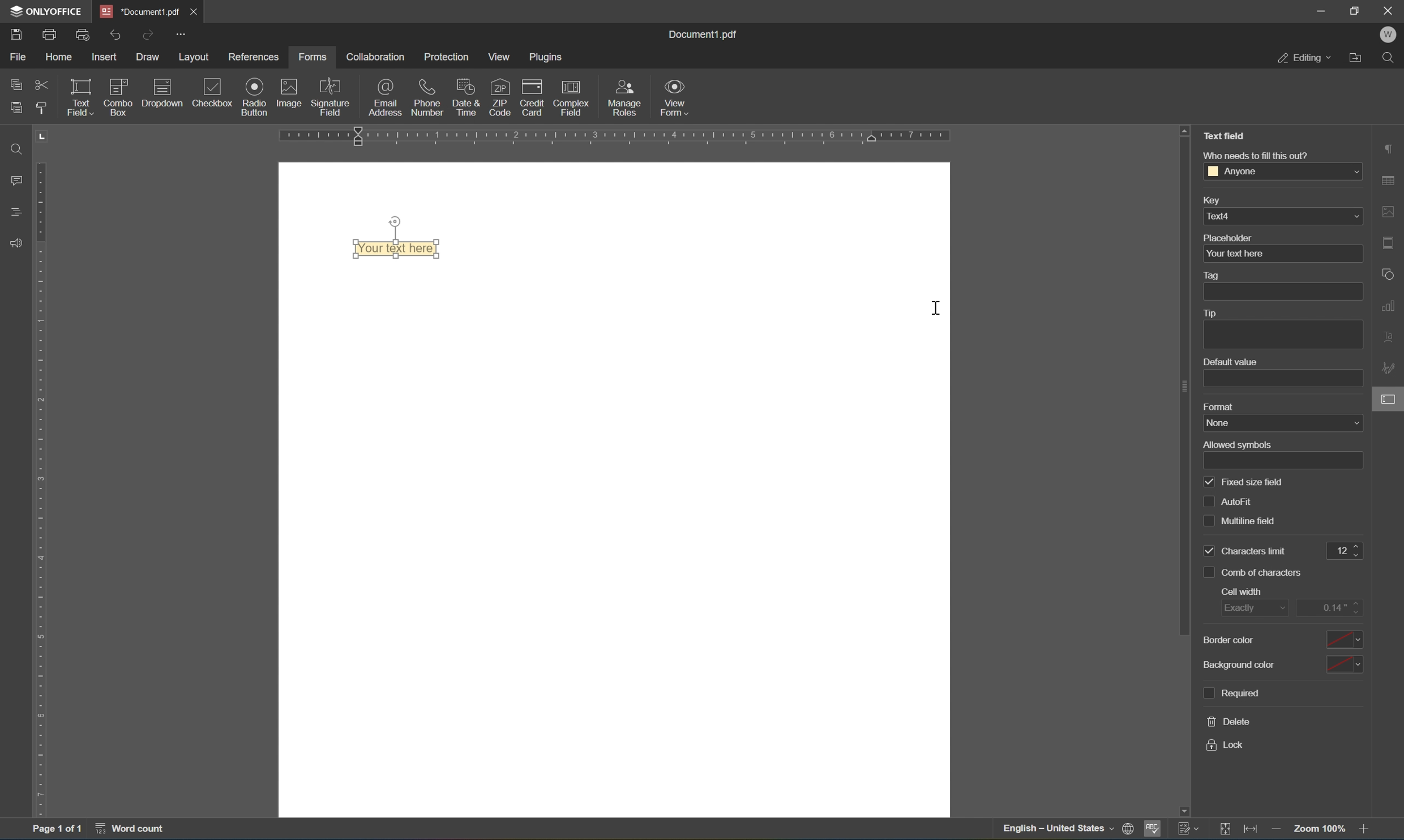  I want to click on ruler, so click(43, 486).